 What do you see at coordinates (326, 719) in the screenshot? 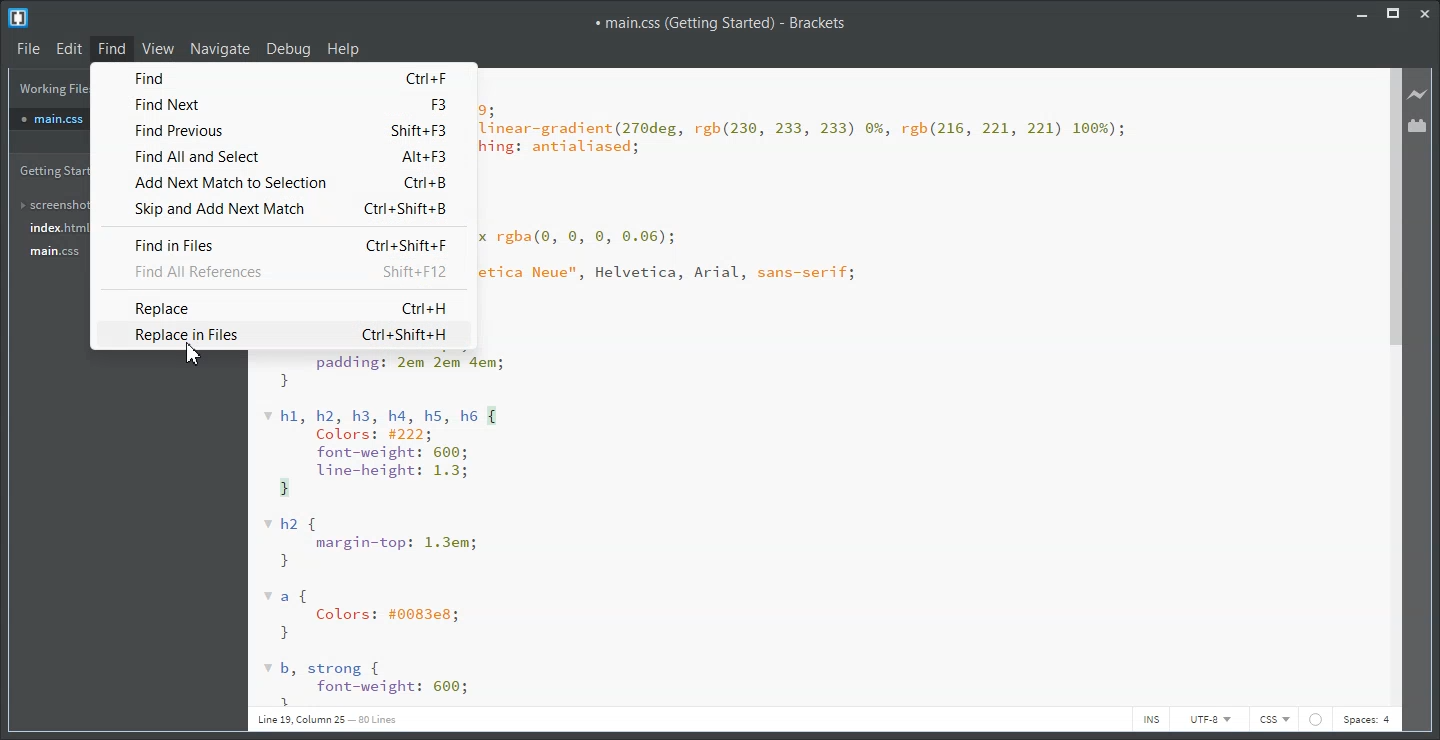
I see `Line 19, Column 25 — 80 Lines` at bounding box center [326, 719].